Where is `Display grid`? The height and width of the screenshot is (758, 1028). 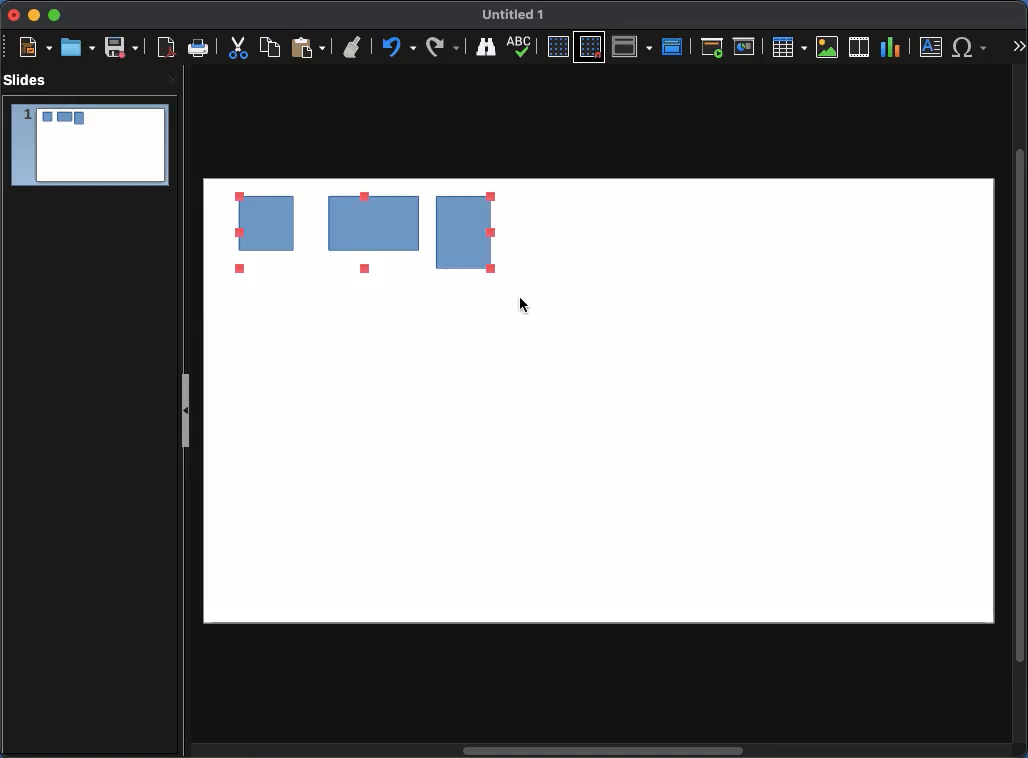
Display grid is located at coordinates (557, 47).